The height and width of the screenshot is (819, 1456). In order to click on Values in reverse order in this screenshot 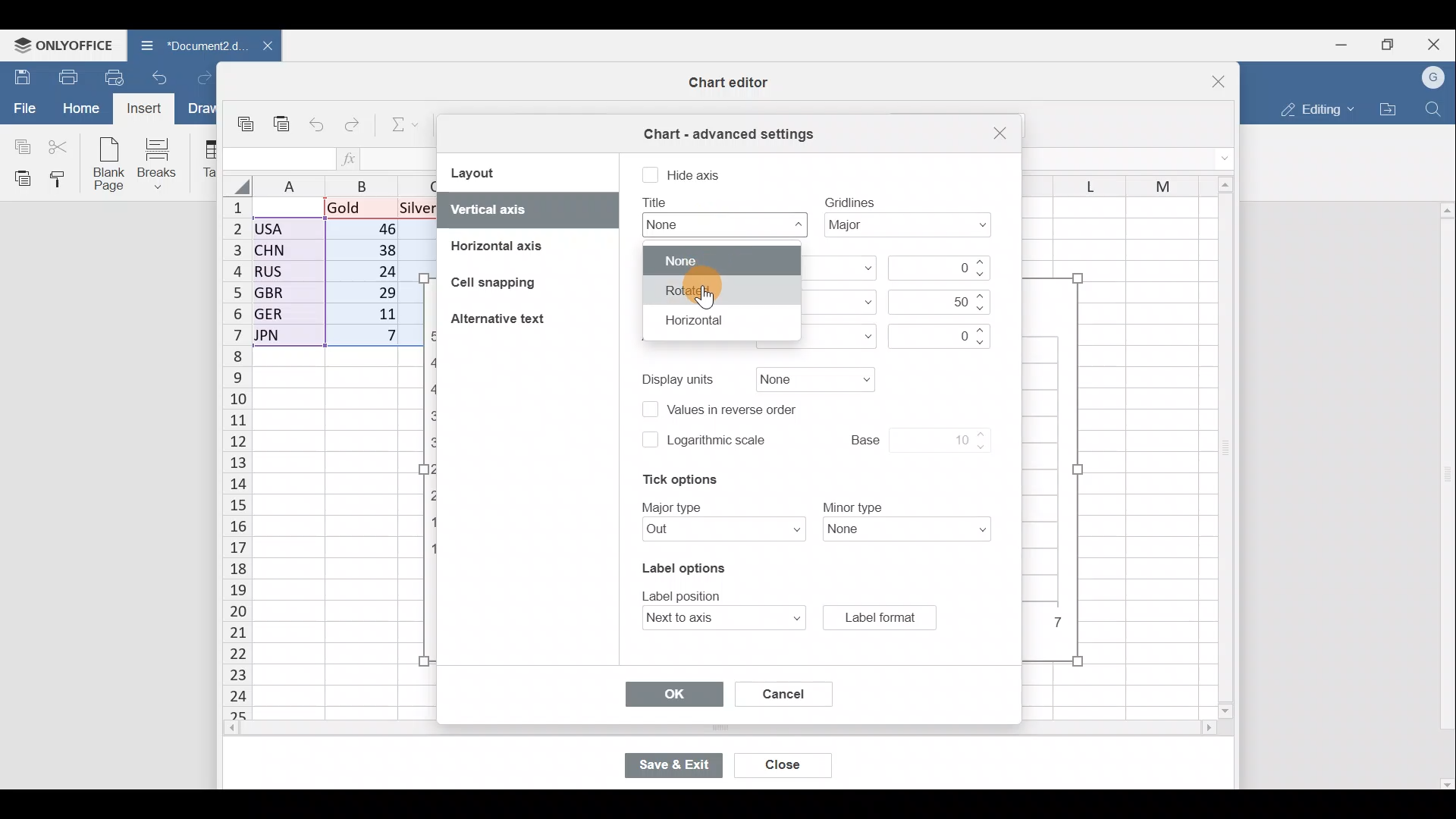, I will do `click(738, 409)`.